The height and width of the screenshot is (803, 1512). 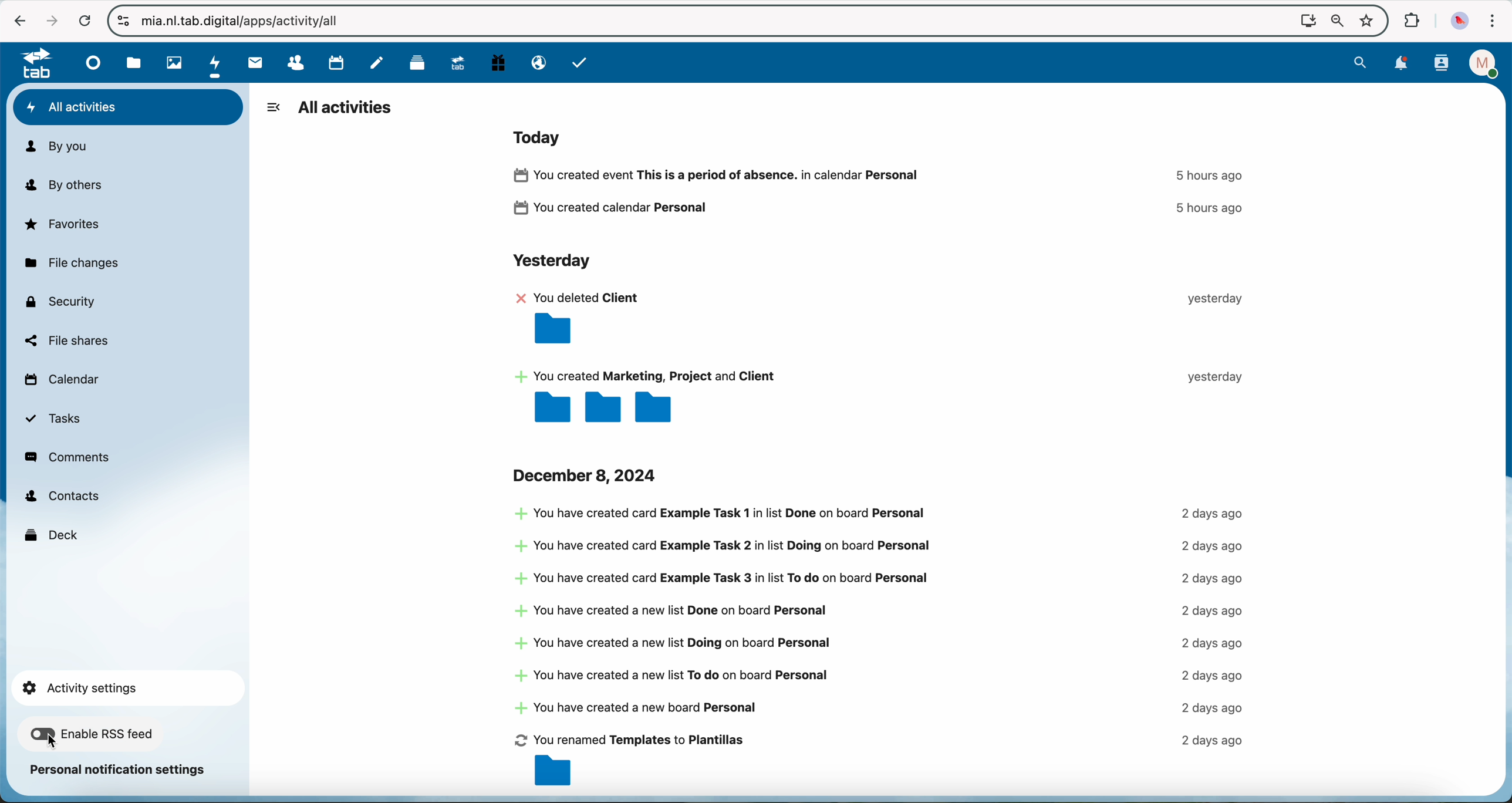 I want to click on search, so click(x=1360, y=62).